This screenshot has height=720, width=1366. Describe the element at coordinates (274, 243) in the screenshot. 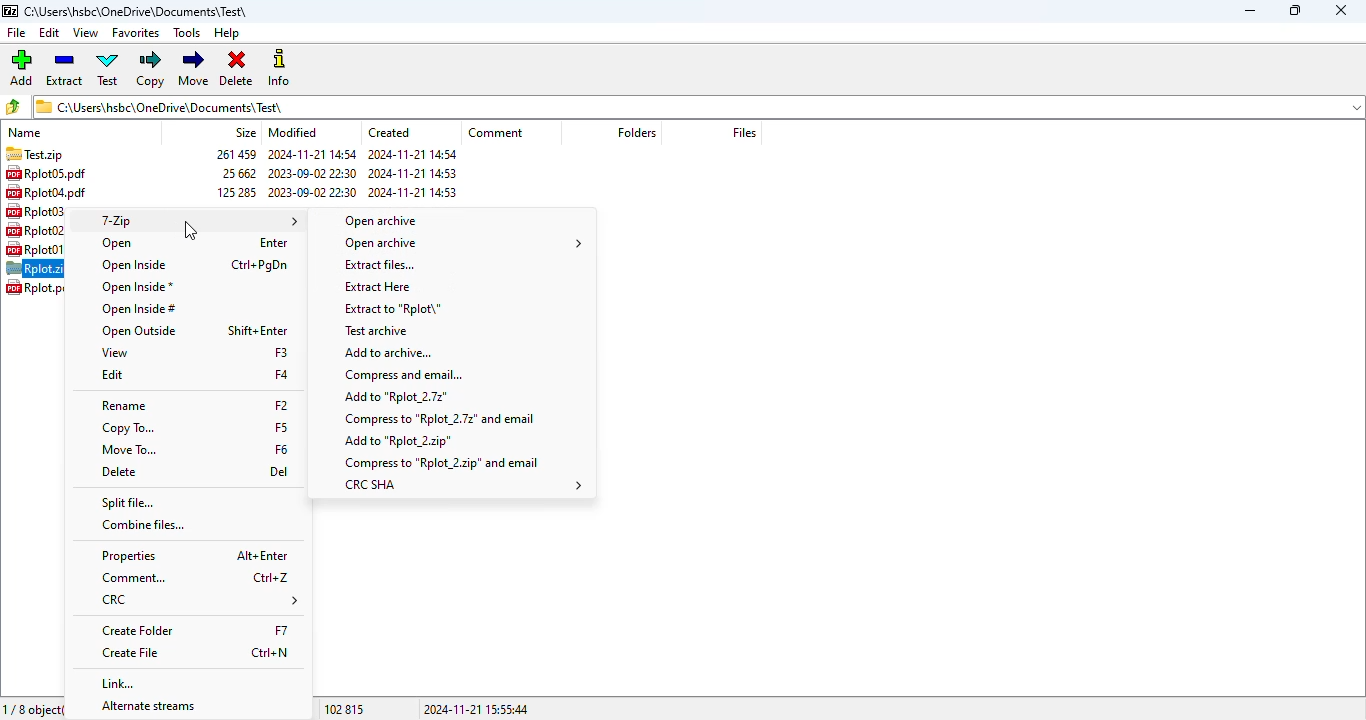

I see `shortcut for open` at that location.